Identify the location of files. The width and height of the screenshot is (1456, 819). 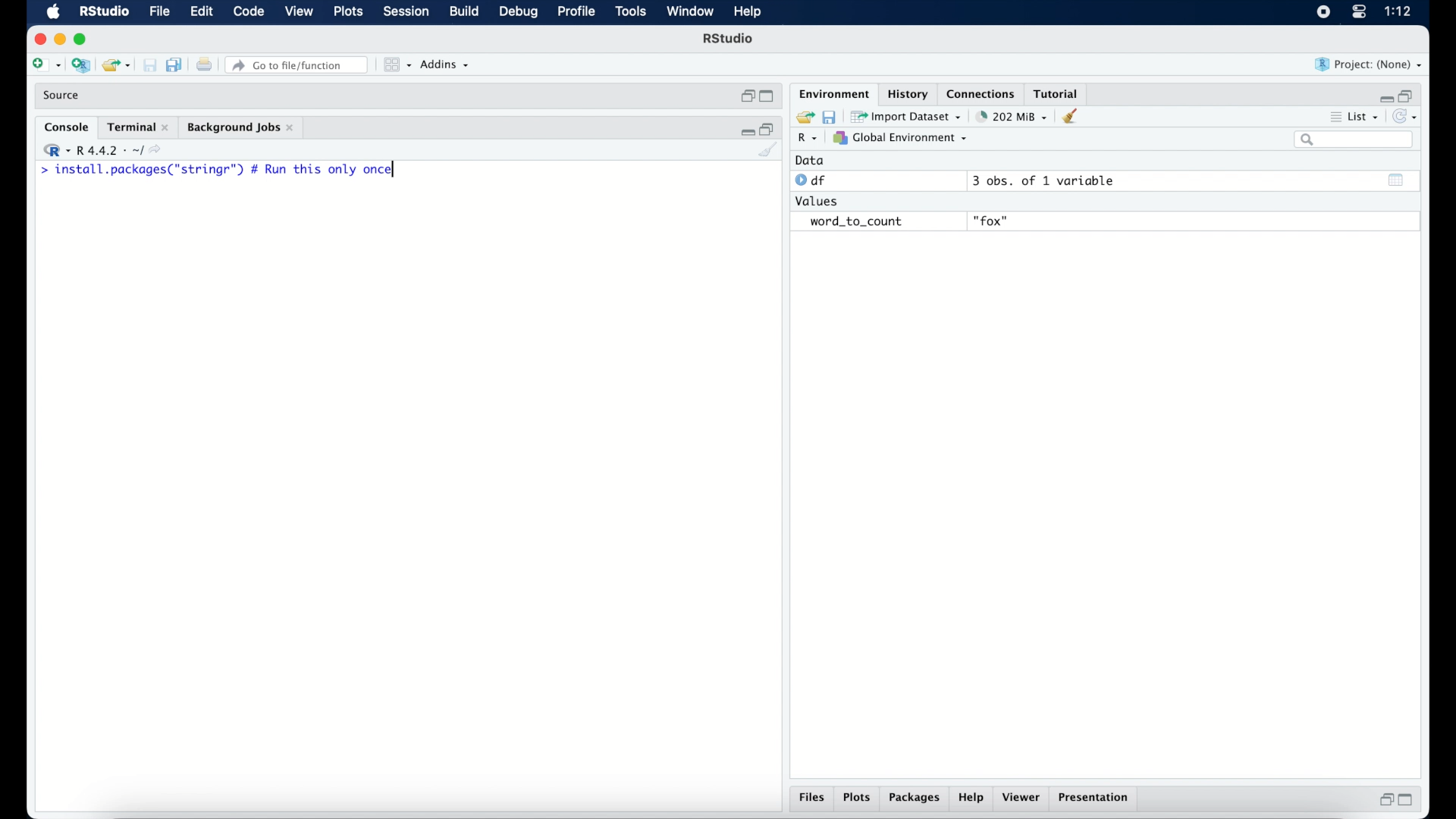
(814, 798).